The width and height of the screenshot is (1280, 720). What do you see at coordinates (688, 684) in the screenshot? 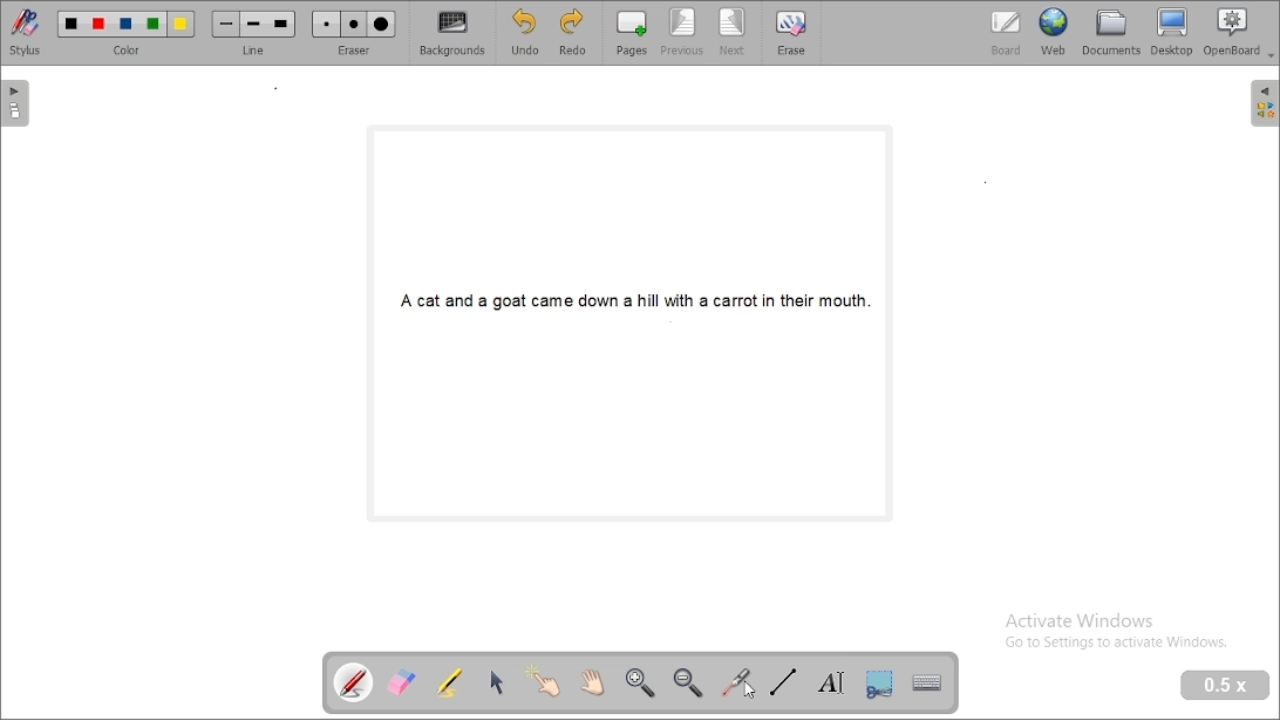
I see `zoom out` at bounding box center [688, 684].